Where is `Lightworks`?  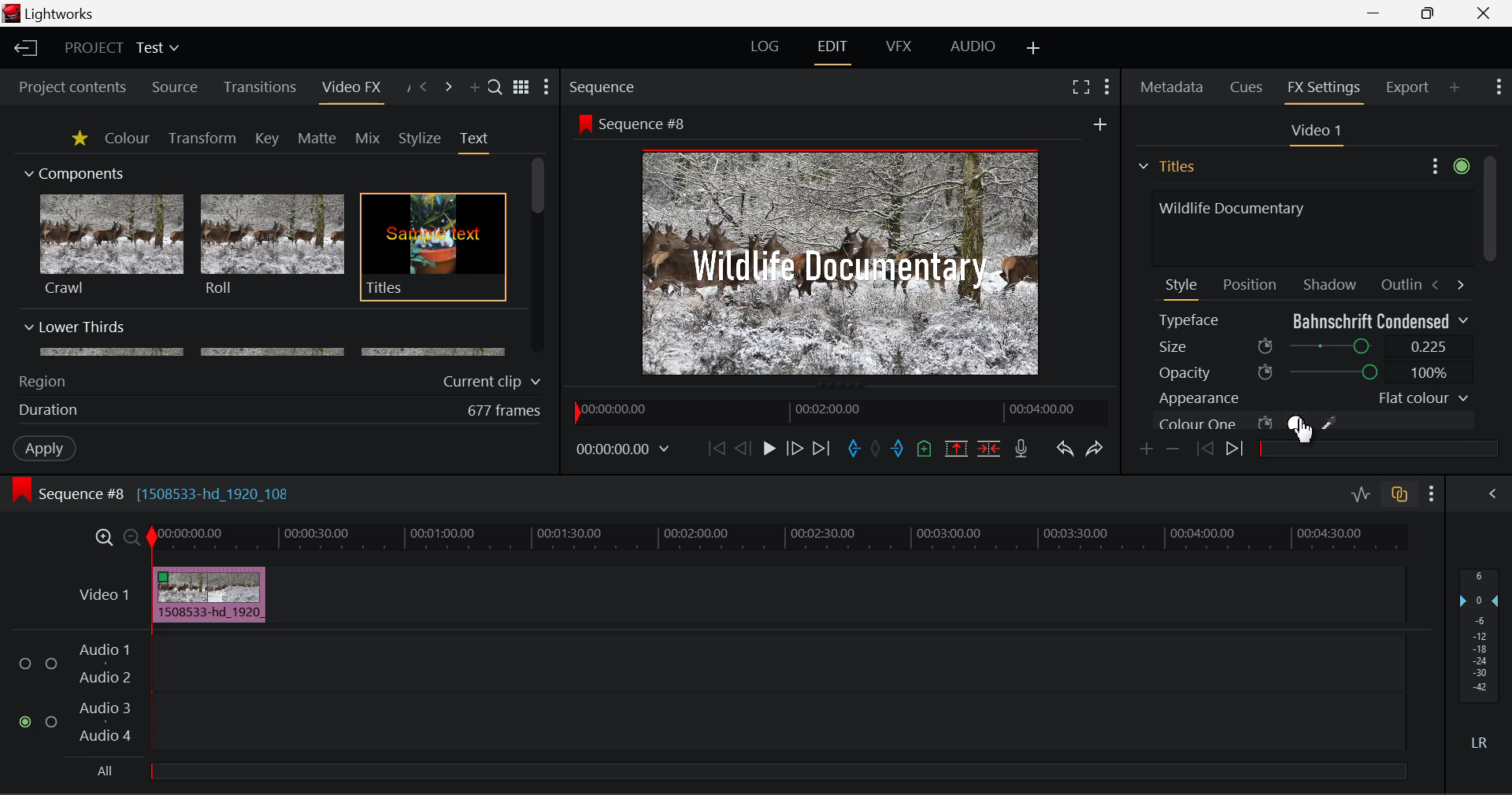 Lightworks is located at coordinates (61, 13).